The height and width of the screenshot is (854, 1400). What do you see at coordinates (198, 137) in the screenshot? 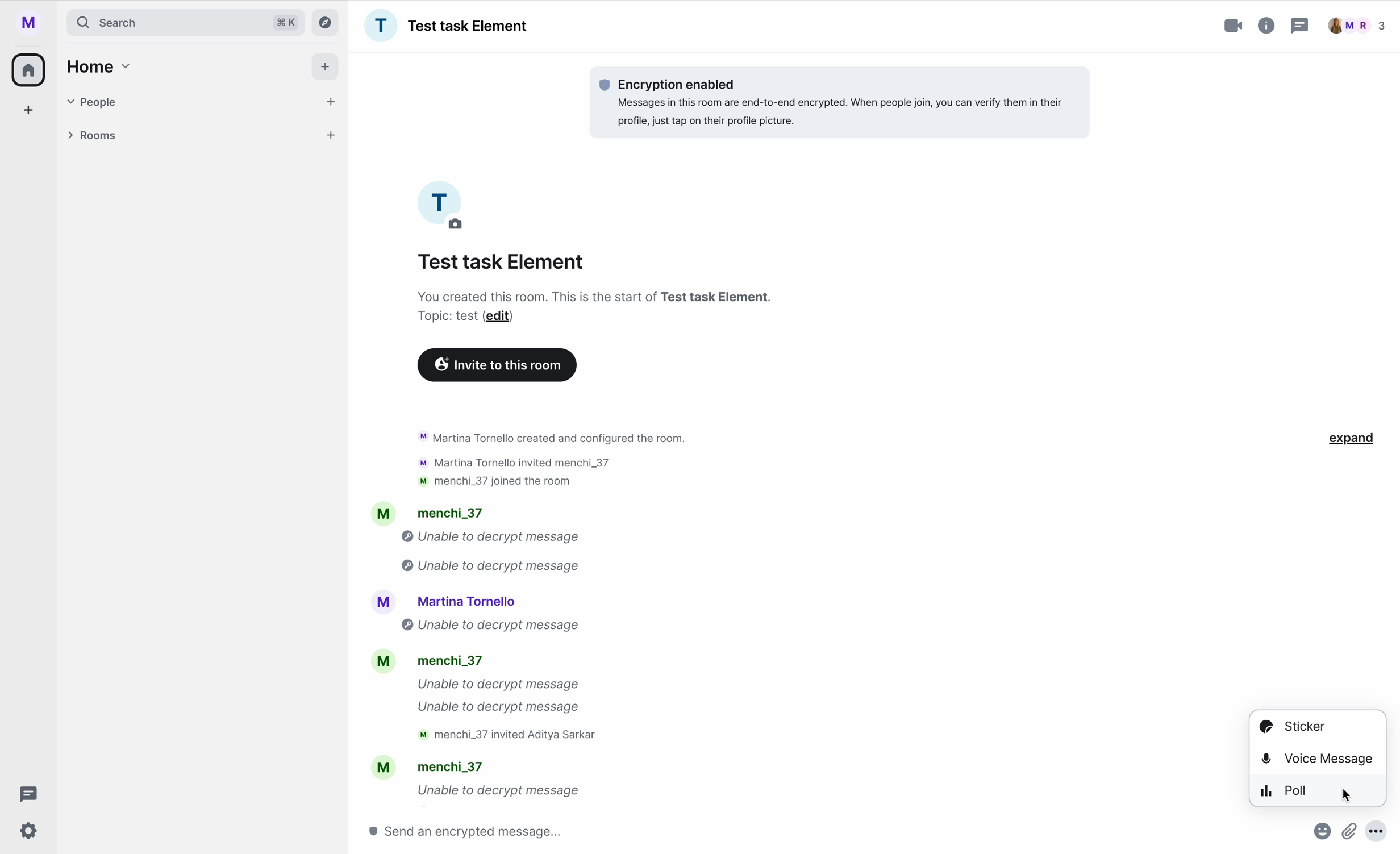
I see `rooms tab` at bounding box center [198, 137].